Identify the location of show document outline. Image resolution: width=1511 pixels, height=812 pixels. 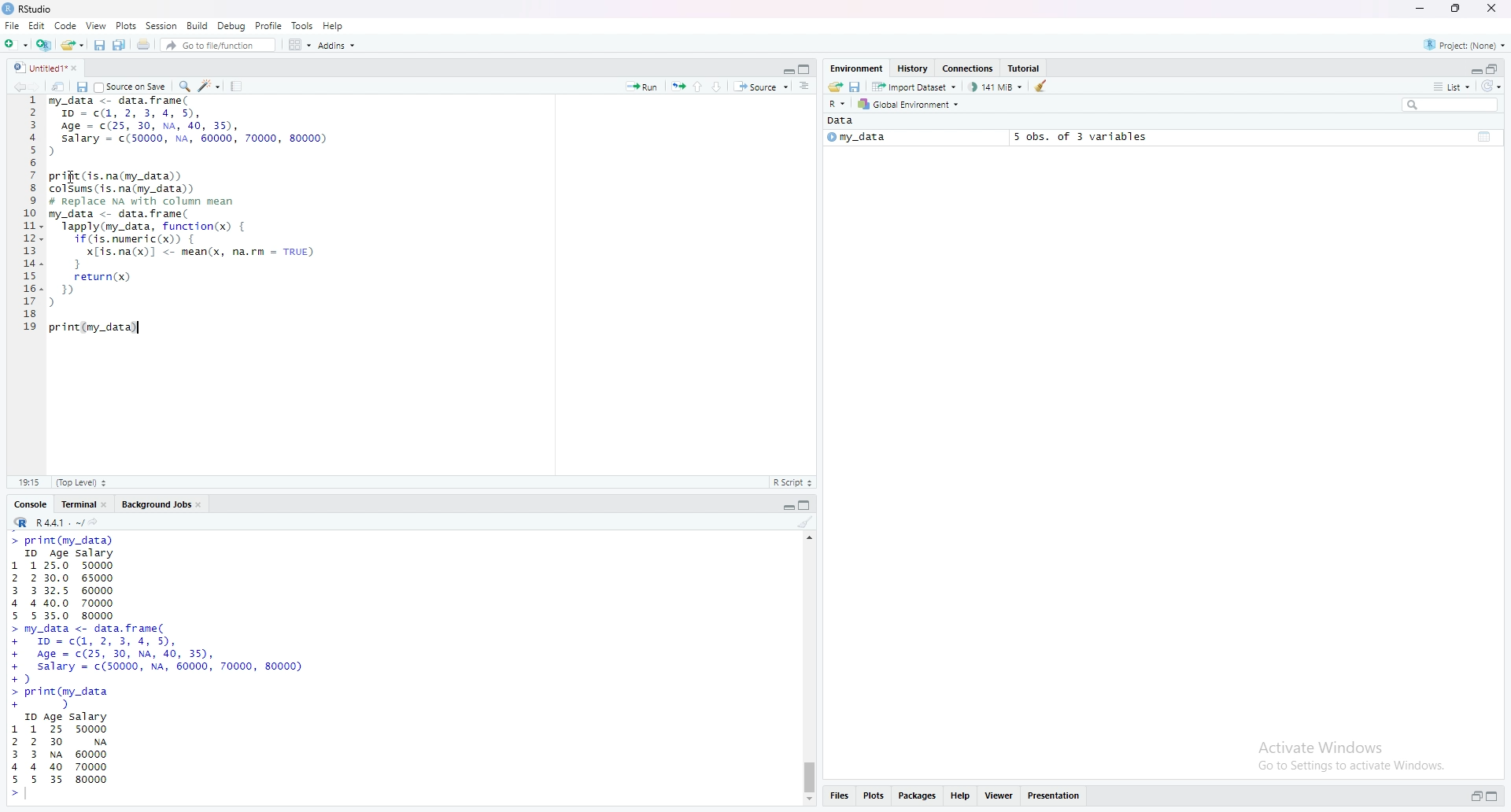
(806, 87).